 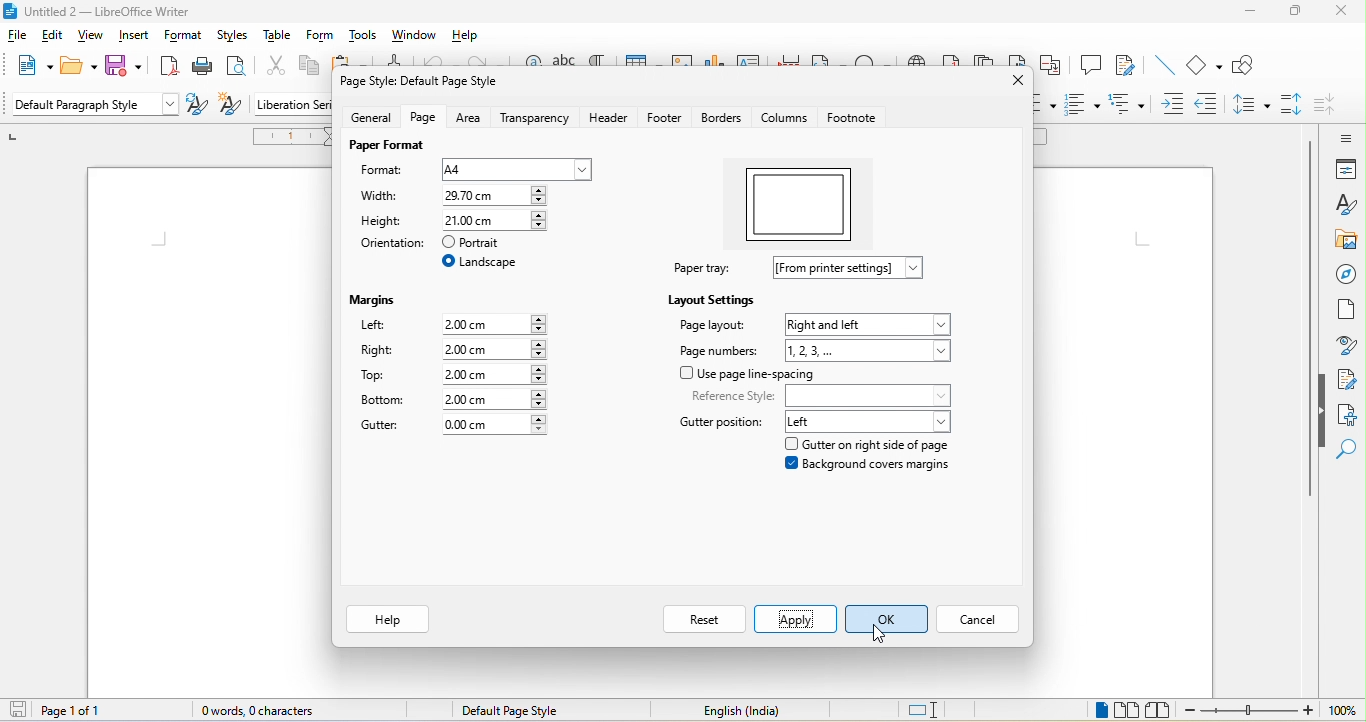 I want to click on properties, so click(x=1343, y=169).